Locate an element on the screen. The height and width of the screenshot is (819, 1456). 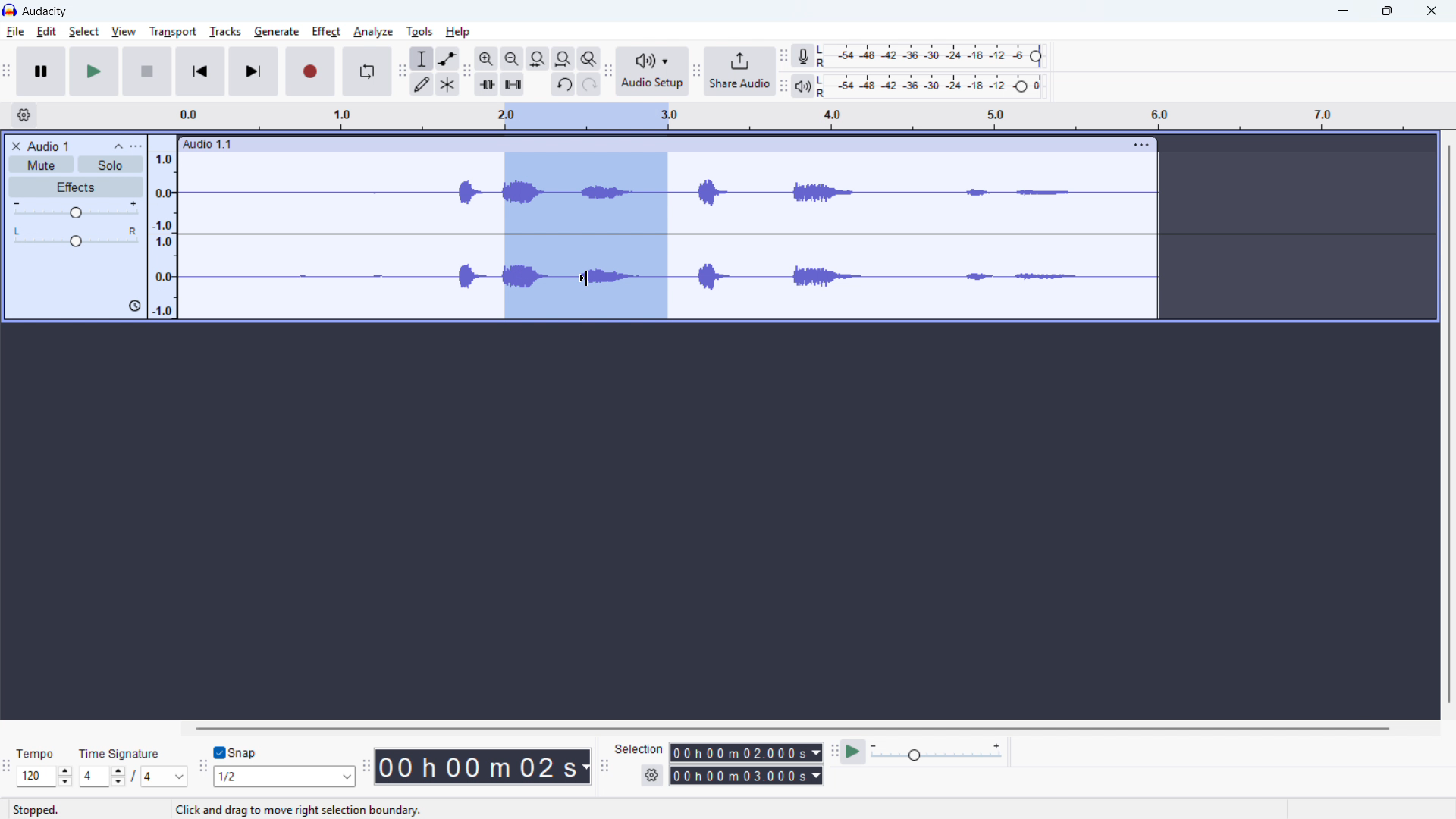
Selection toolbar is located at coordinates (607, 768).